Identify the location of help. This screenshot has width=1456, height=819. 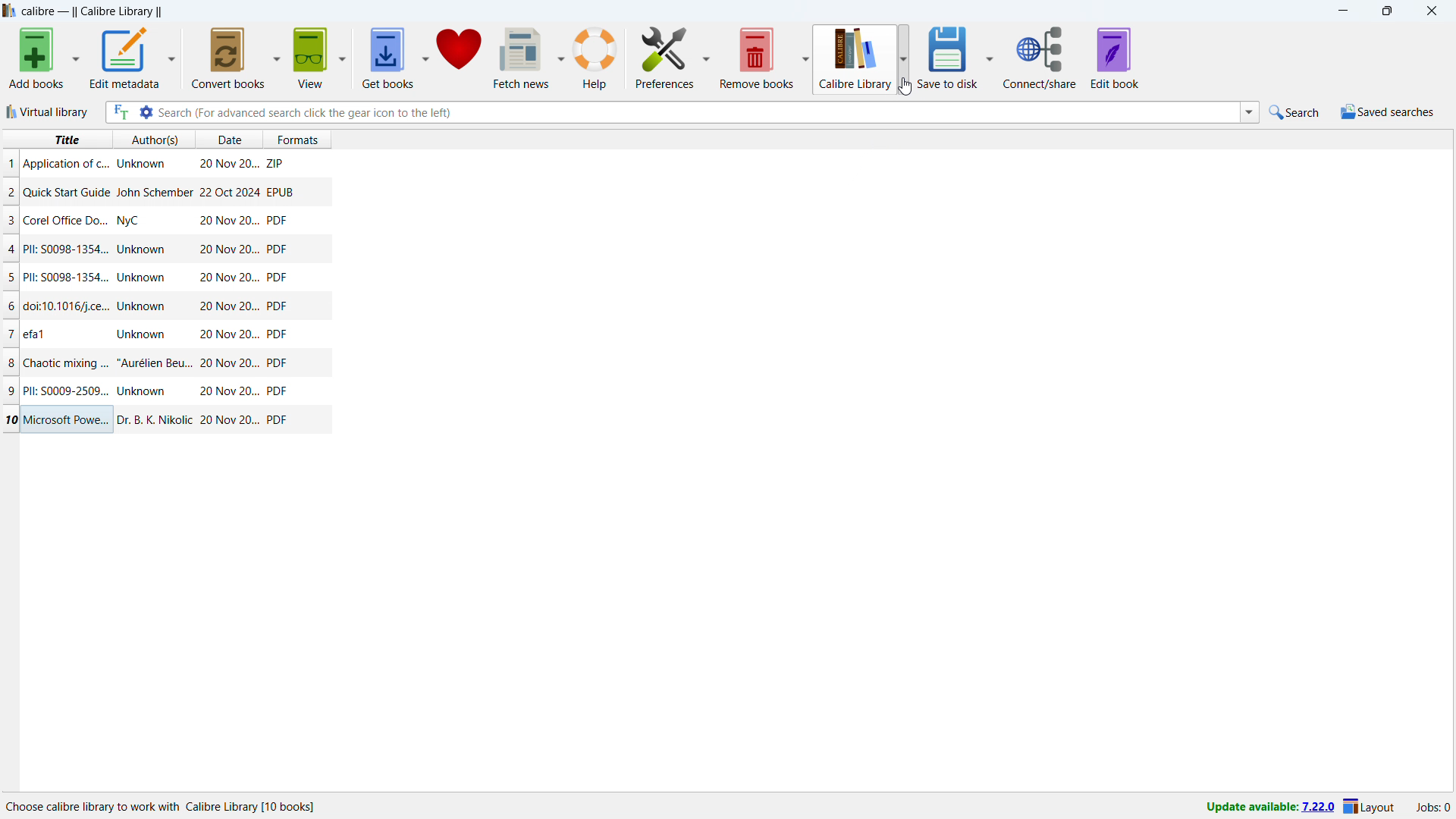
(595, 58).